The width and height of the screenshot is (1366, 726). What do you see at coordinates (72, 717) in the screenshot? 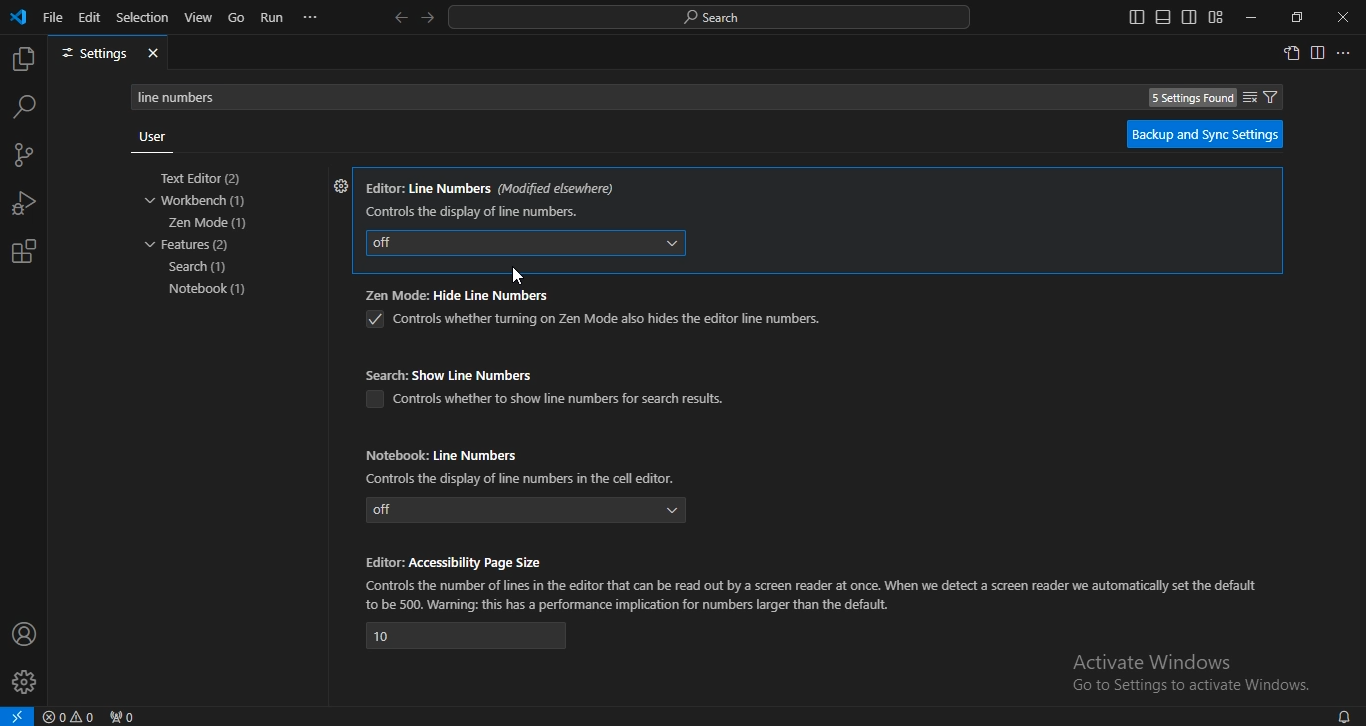
I see `no problems` at bounding box center [72, 717].